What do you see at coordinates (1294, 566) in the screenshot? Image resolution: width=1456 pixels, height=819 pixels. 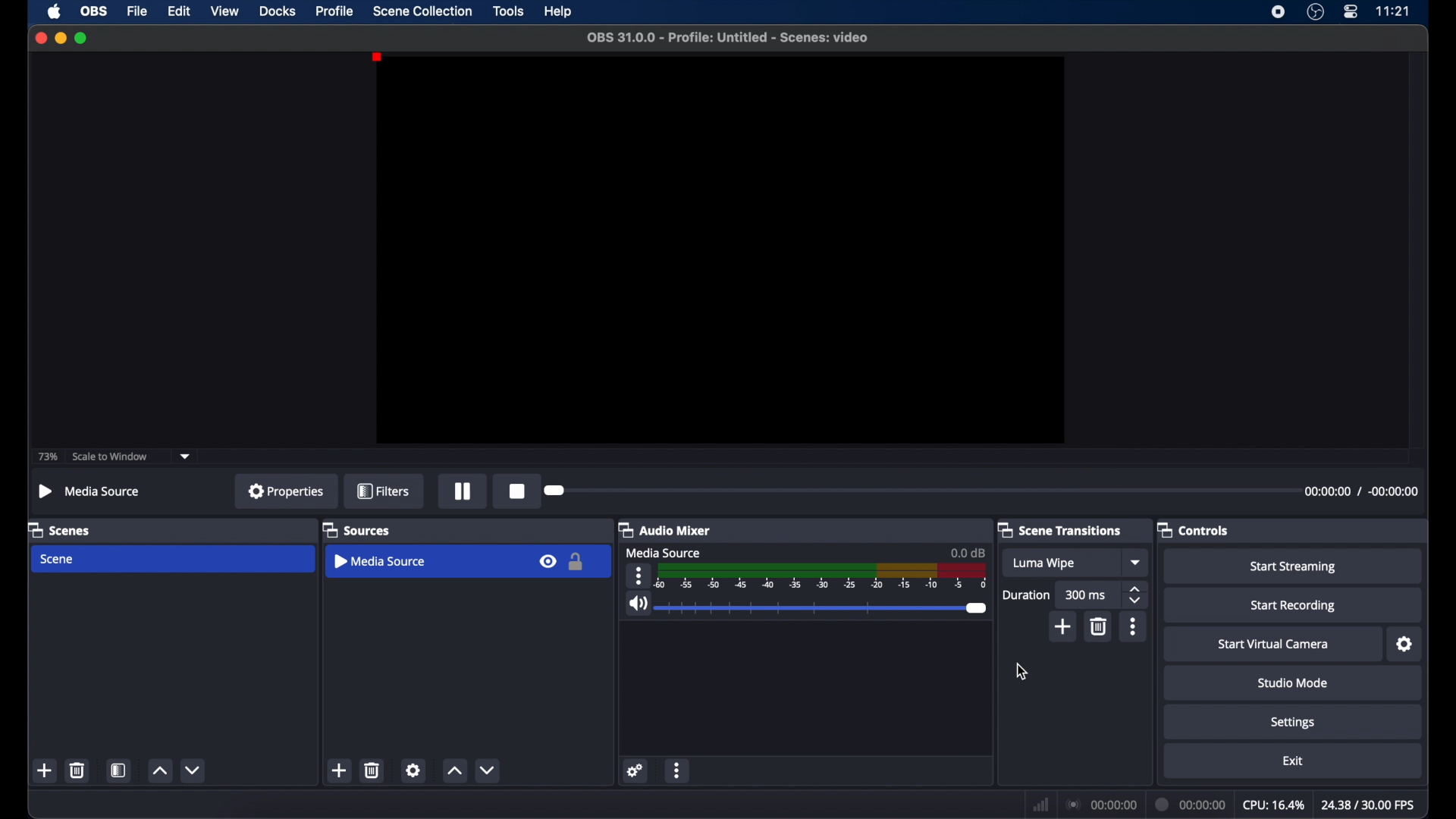 I see `start streaming` at bounding box center [1294, 566].